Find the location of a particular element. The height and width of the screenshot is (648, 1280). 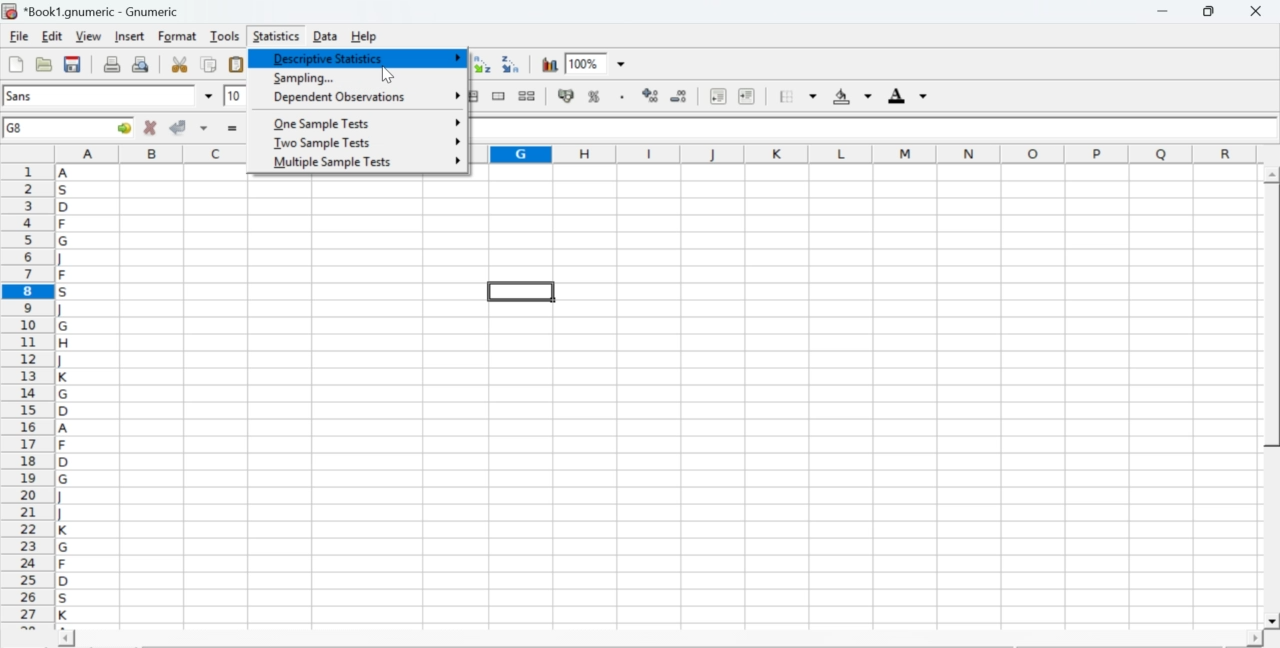

insert is located at coordinates (128, 35).